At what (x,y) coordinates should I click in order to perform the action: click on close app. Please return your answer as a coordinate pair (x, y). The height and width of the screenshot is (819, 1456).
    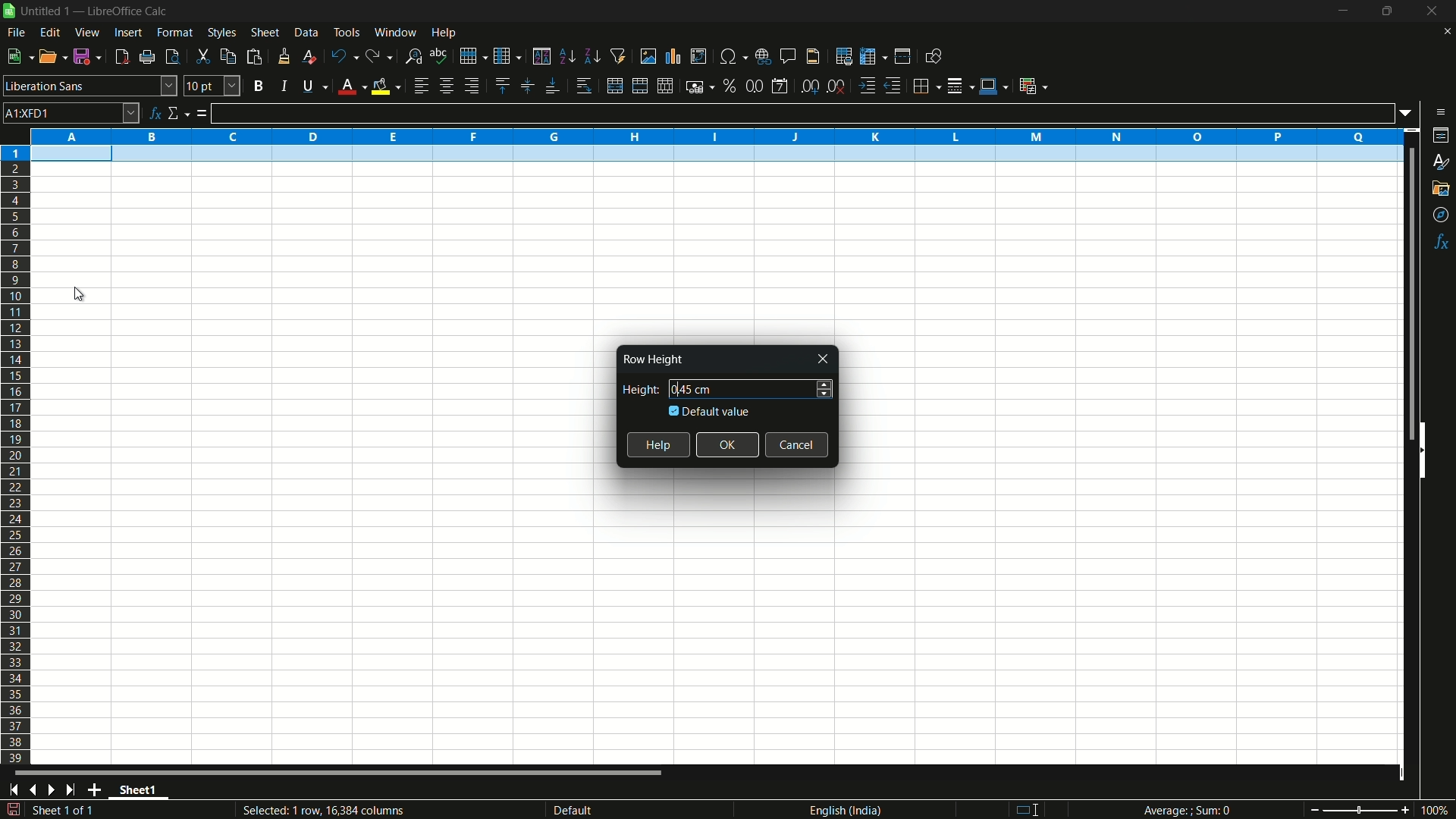
    Looking at the image, I should click on (1428, 11).